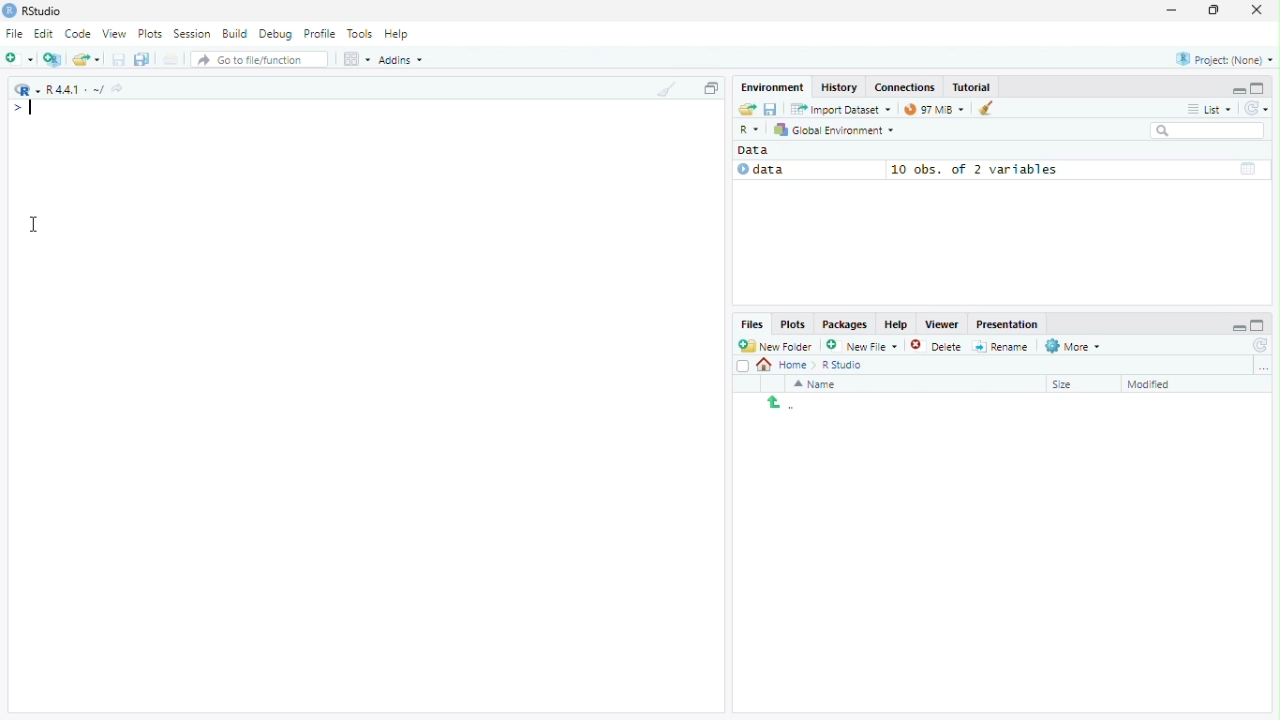 The width and height of the screenshot is (1280, 720). What do you see at coordinates (792, 325) in the screenshot?
I see `Plots` at bounding box center [792, 325].